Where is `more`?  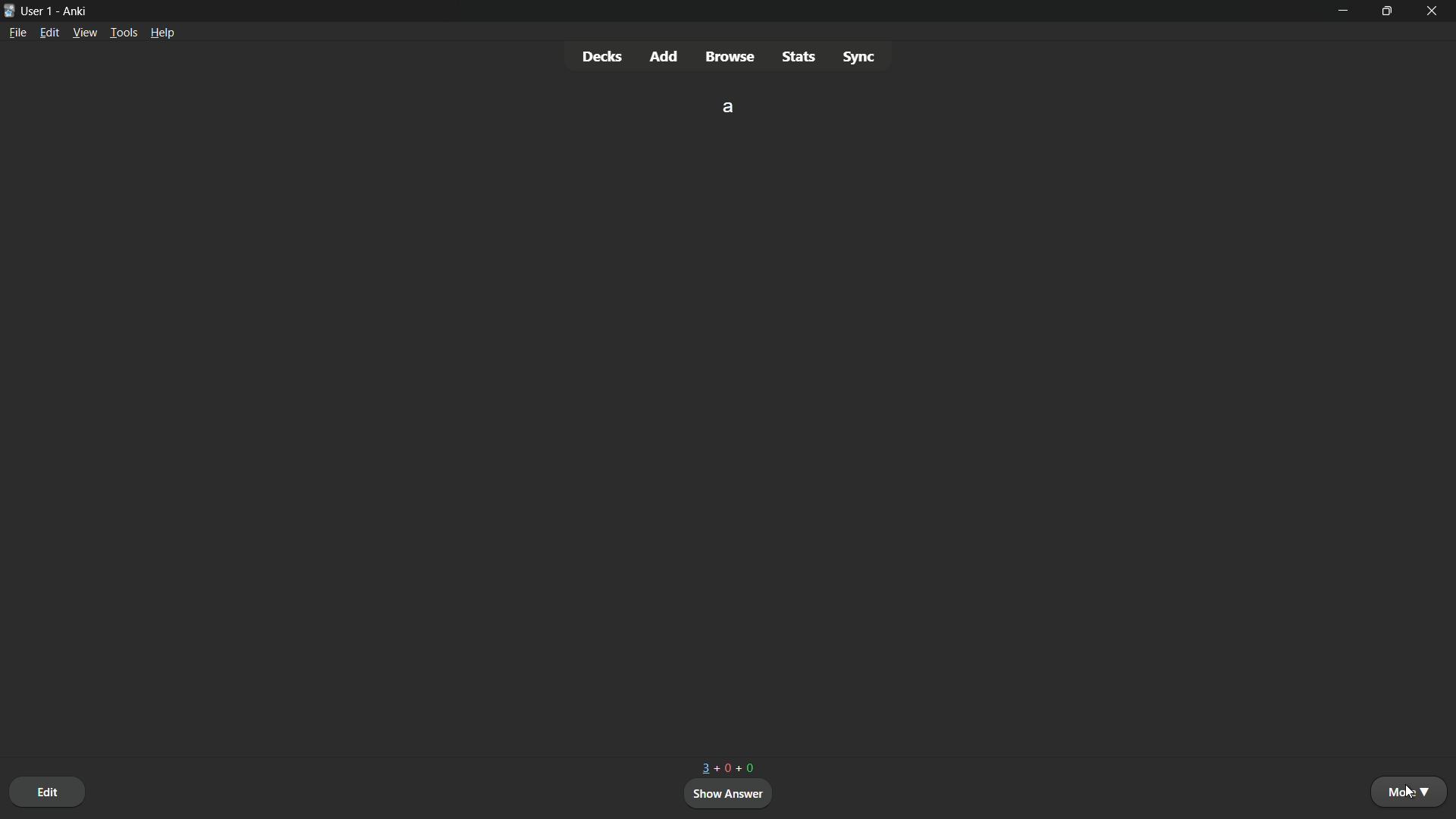 more is located at coordinates (1412, 792).